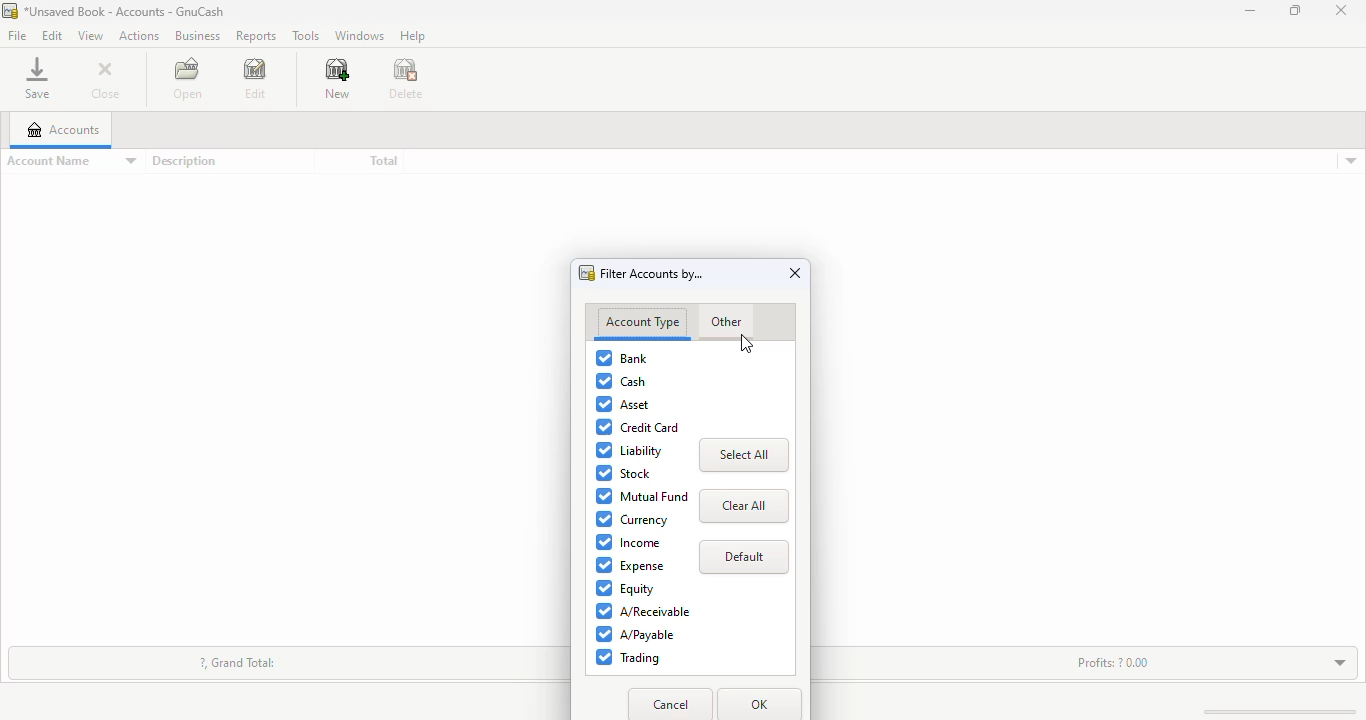 The image size is (1366, 720). I want to click on income, so click(628, 542).